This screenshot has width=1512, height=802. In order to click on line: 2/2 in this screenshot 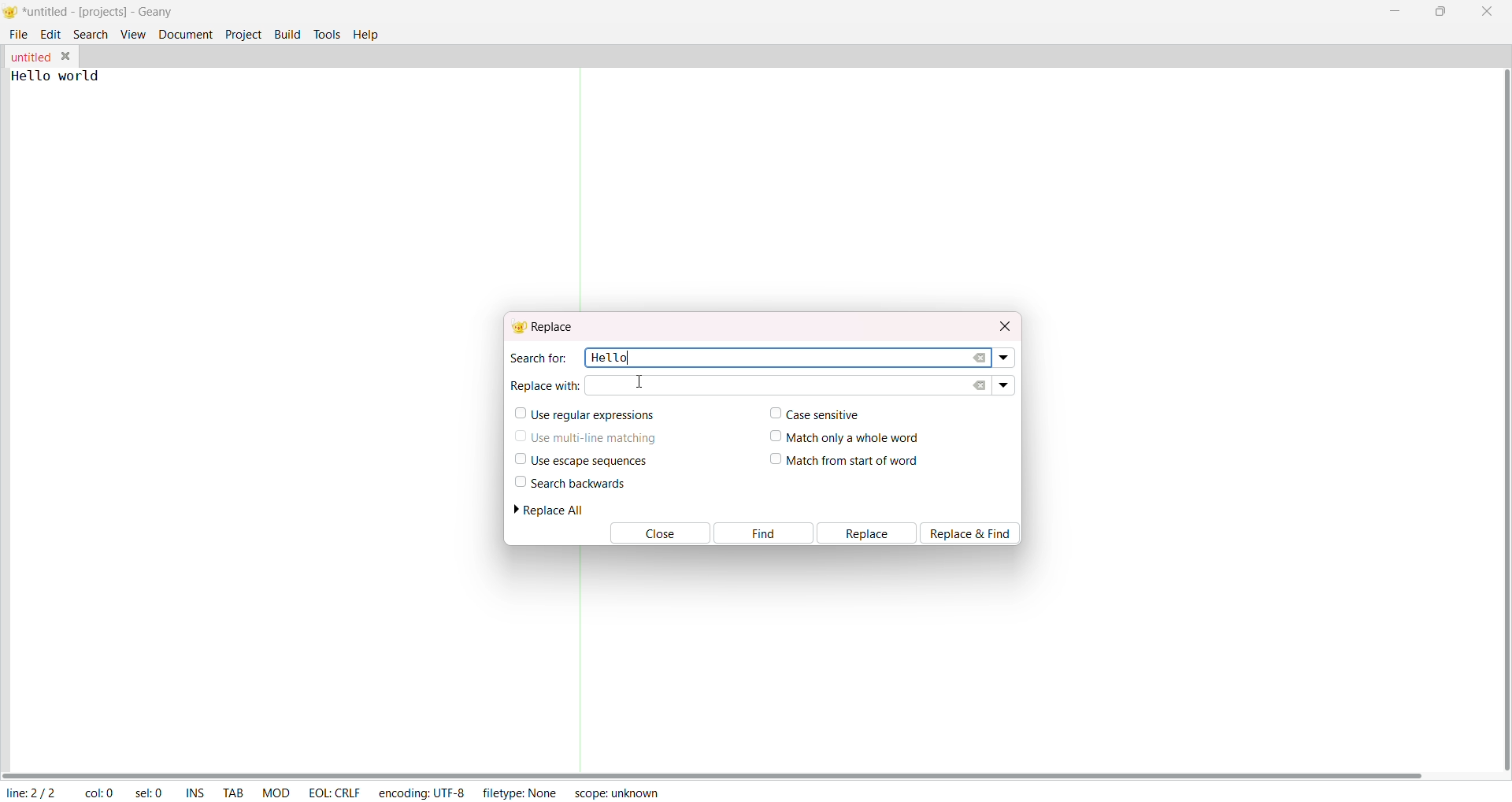, I will do `click(30, 793)`.